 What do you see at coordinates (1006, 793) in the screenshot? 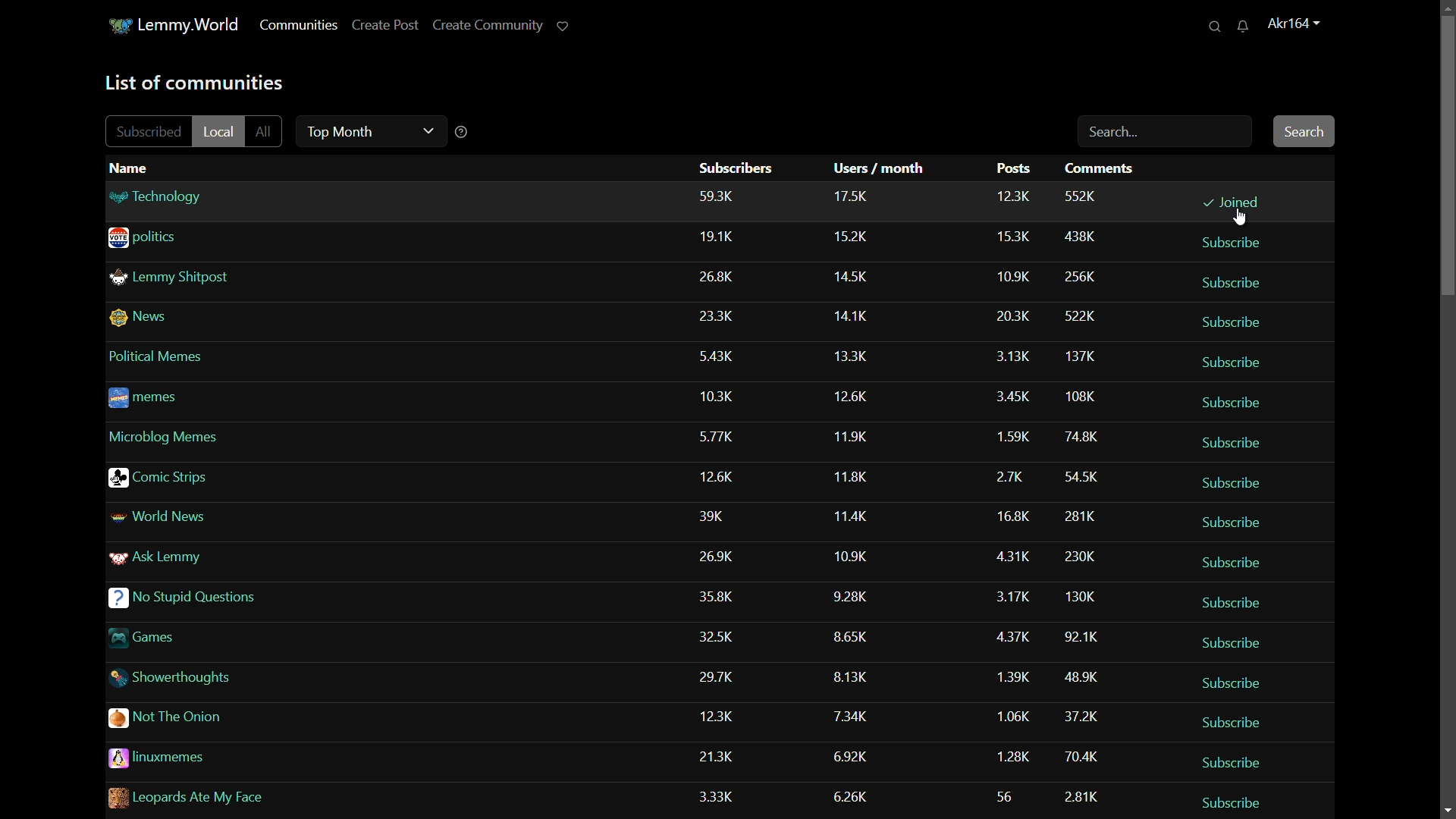
I see `posts` at bounding box center [1006, 793].